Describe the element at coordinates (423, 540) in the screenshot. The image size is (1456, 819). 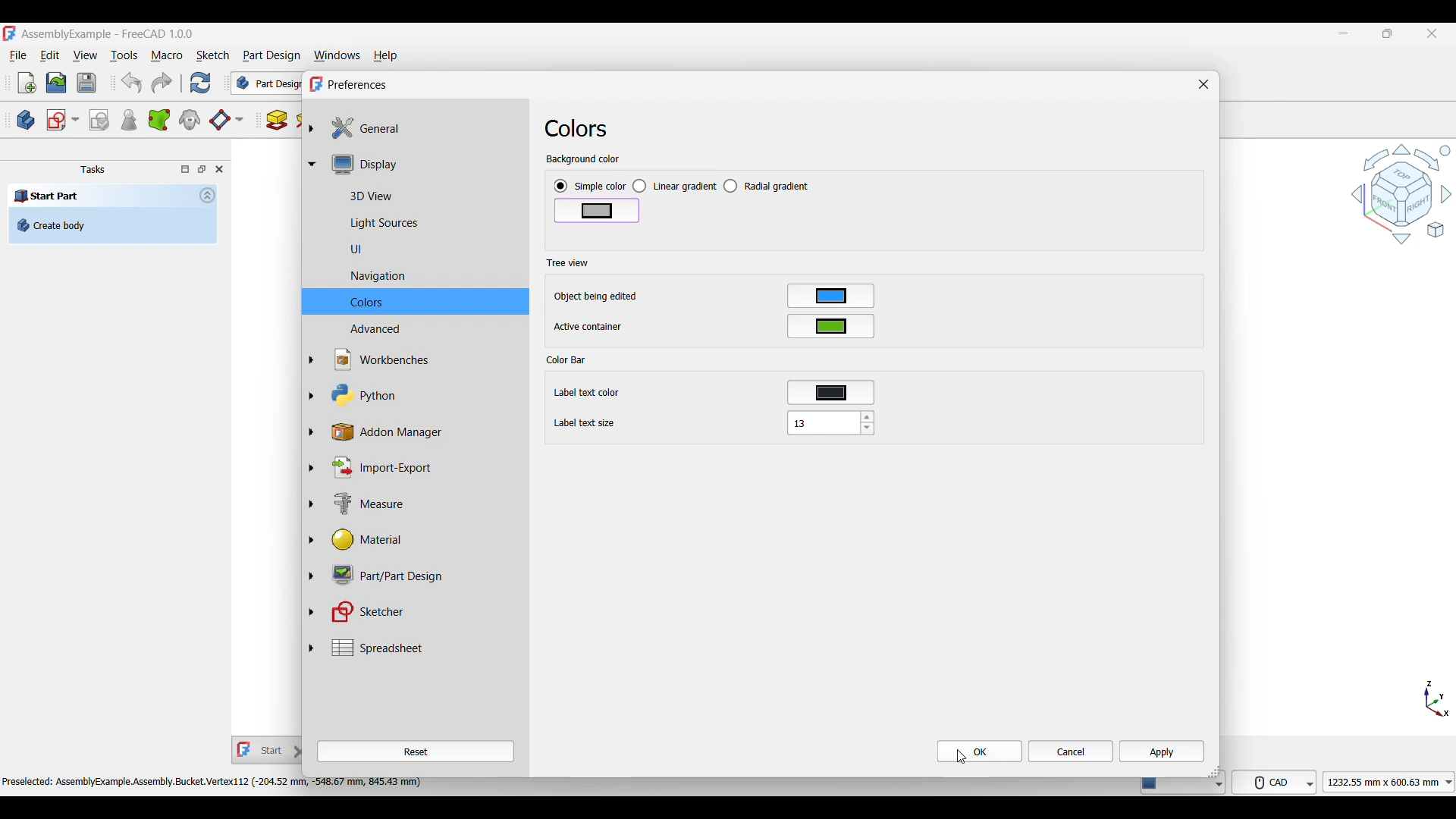
I see `Material` at that location.